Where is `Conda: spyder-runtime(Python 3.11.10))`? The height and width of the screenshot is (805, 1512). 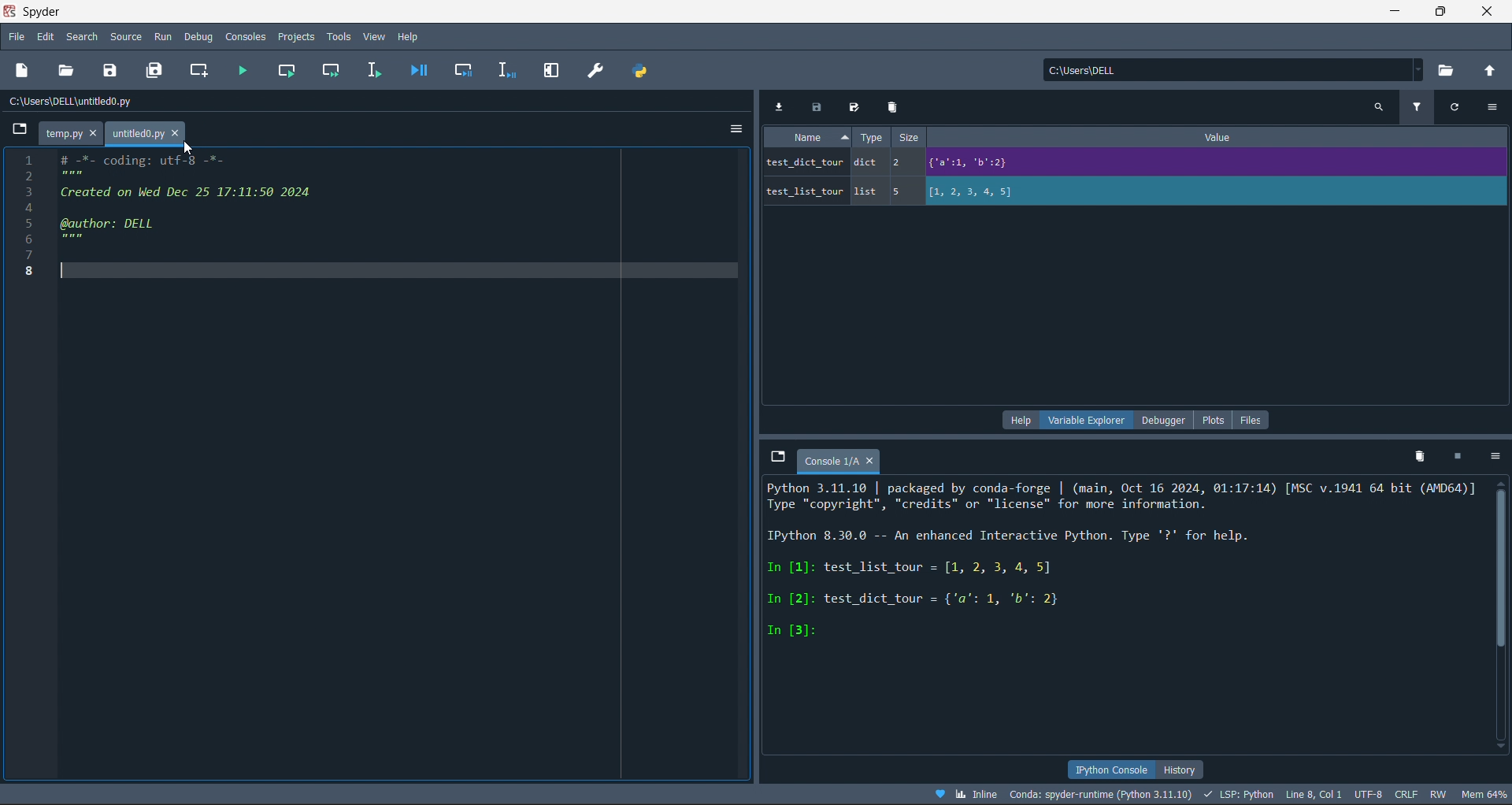 Conda: spyder-runtime(Python 3.11.10)) is located at coordinates (1101, 794).